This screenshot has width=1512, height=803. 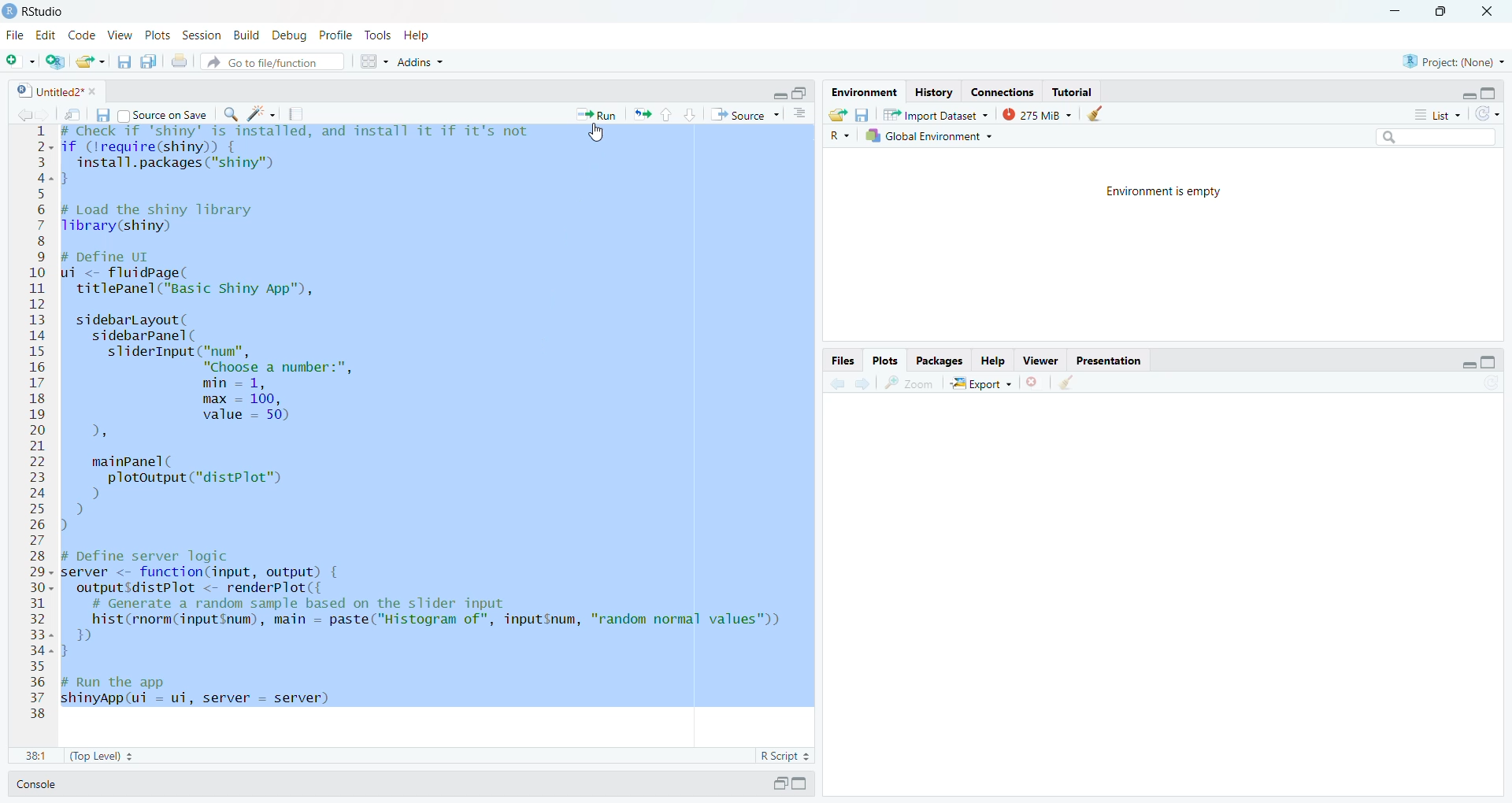 I want to click on Addins, so click(x=422, y=61).